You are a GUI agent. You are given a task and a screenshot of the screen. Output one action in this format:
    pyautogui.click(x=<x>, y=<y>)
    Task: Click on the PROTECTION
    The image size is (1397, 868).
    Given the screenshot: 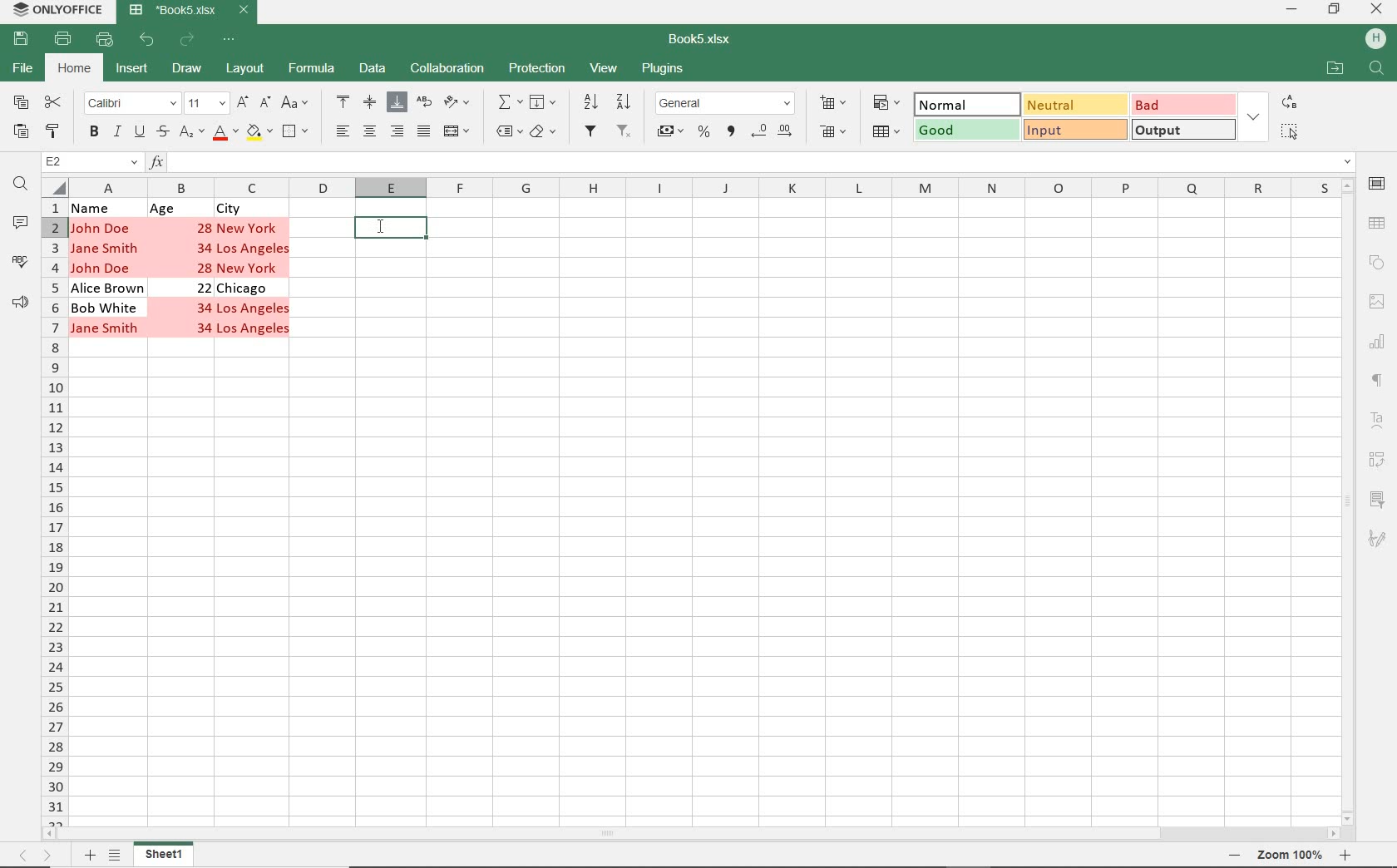 What is the action you would take?
    pyautogui.click(x=536, y=70)
    